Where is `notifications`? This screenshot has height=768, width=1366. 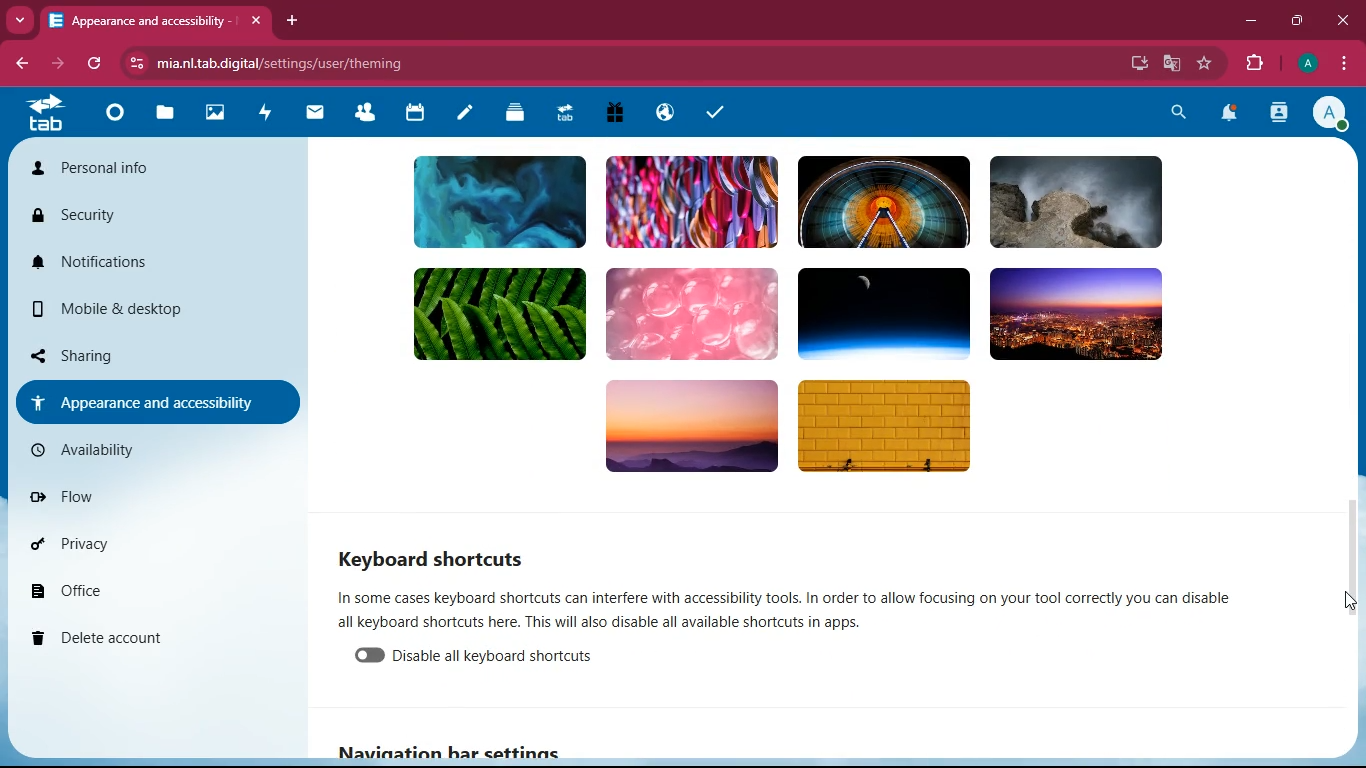
notifications is located at coordinates (1228, 114).